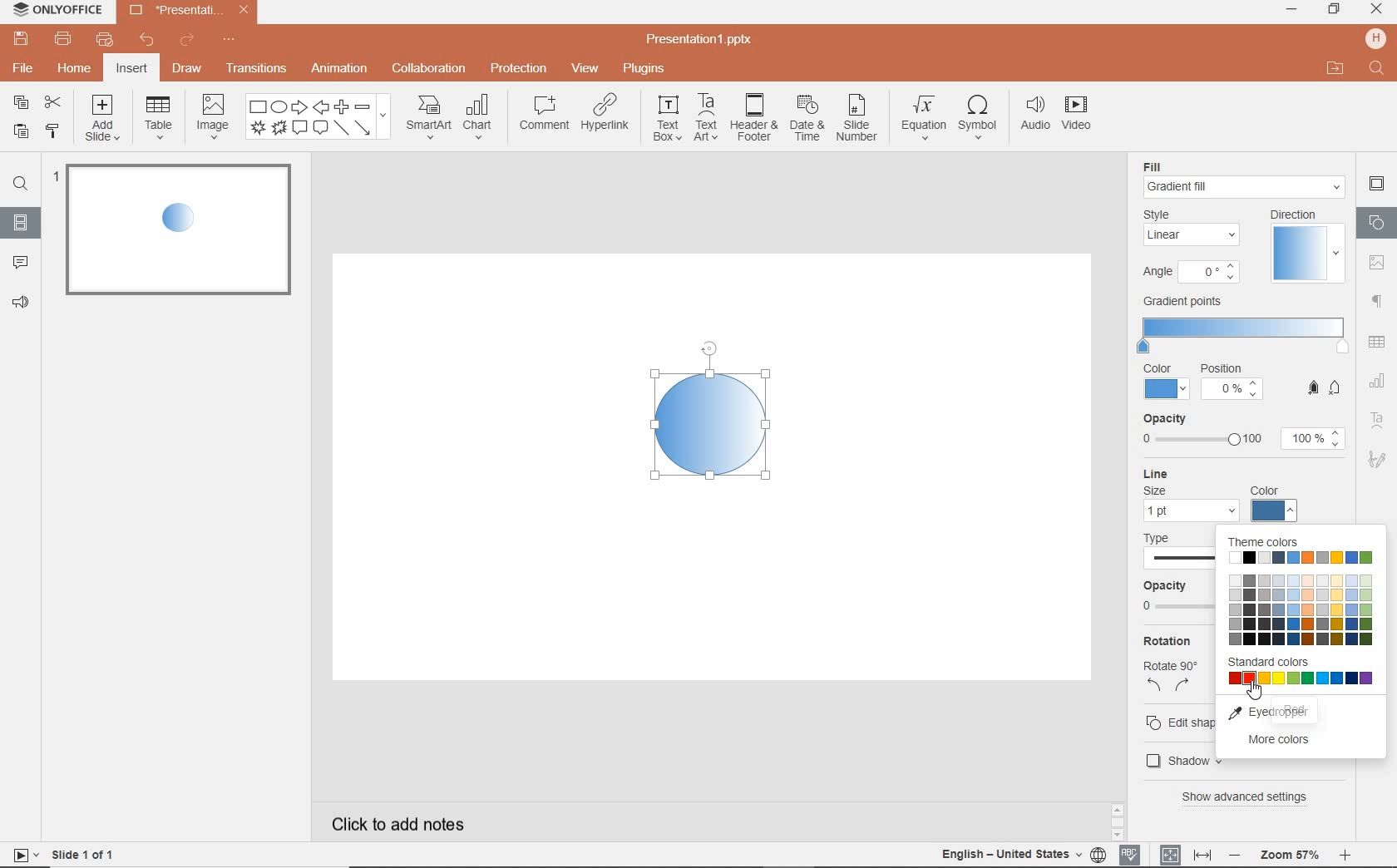 Image resolution: width=1397 pixels, height=868 pixels. I want to click on save, so click(19, 38).